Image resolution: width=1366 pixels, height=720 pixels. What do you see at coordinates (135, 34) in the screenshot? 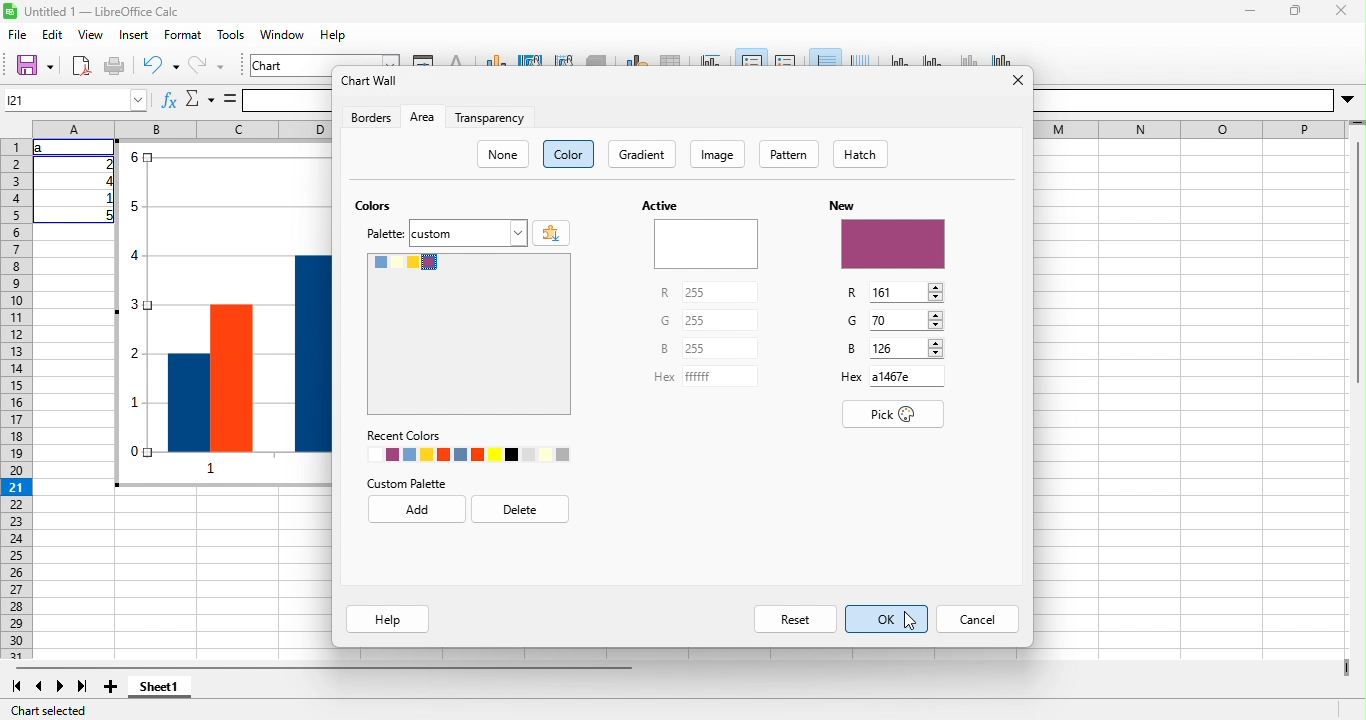
I see `insert` at bounding box center [135, 34].